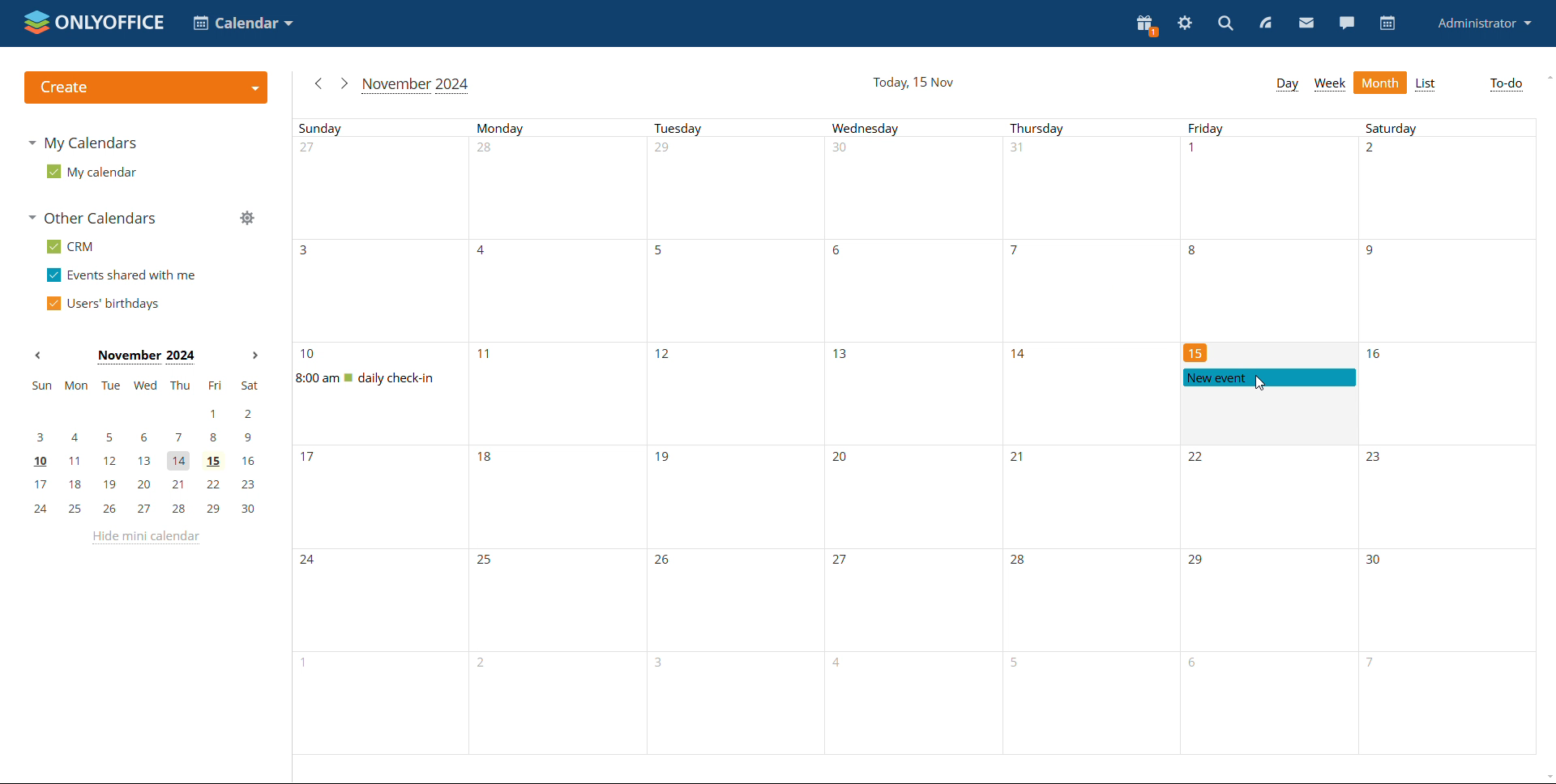 The image size is (1556, 784). What do you see at coordinates (847, 254) in the screenshot?
I see `Number` at bounding box center [847, 254].